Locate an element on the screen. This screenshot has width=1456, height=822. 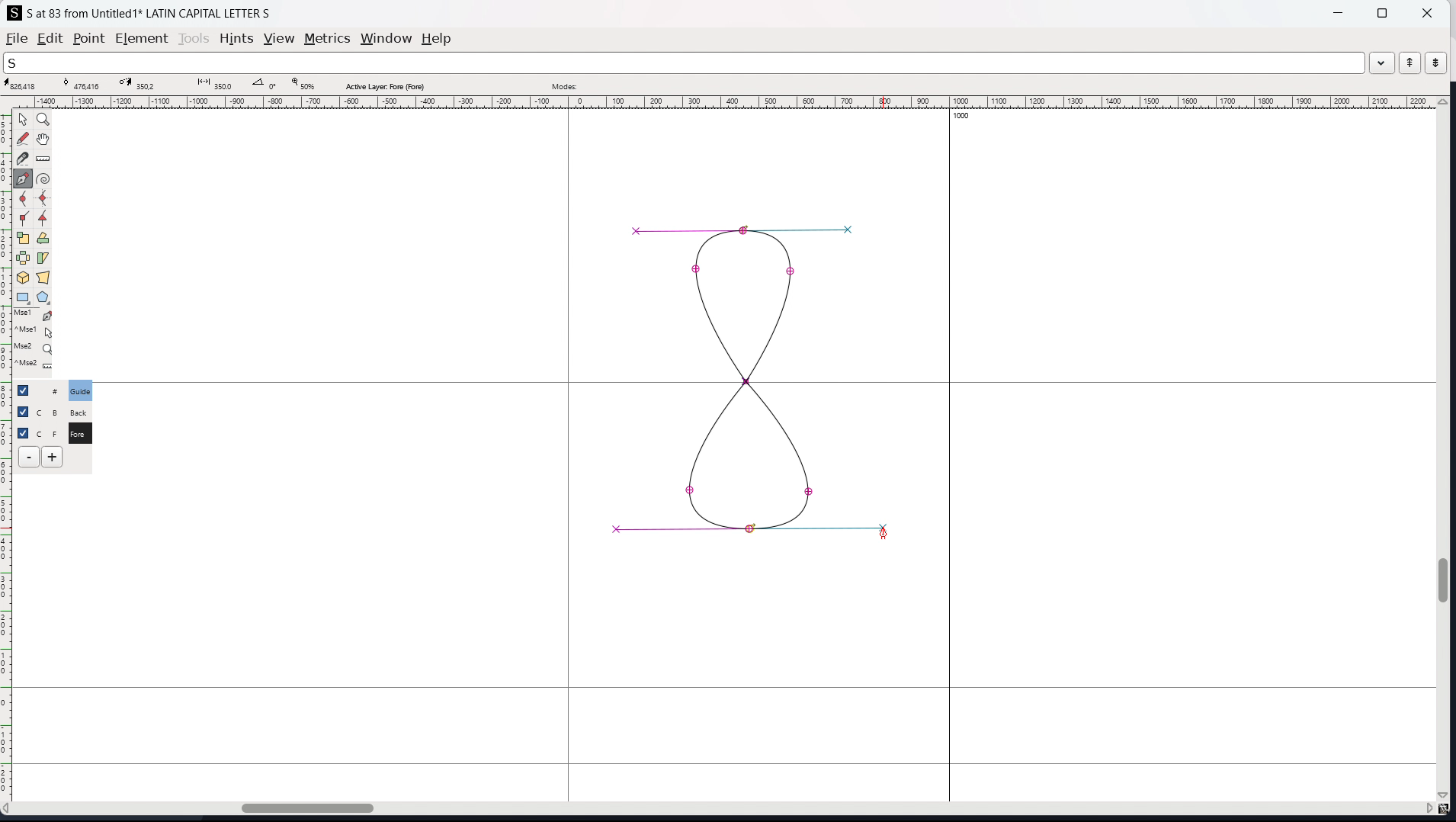
hints is located at coordinates (237, 39).